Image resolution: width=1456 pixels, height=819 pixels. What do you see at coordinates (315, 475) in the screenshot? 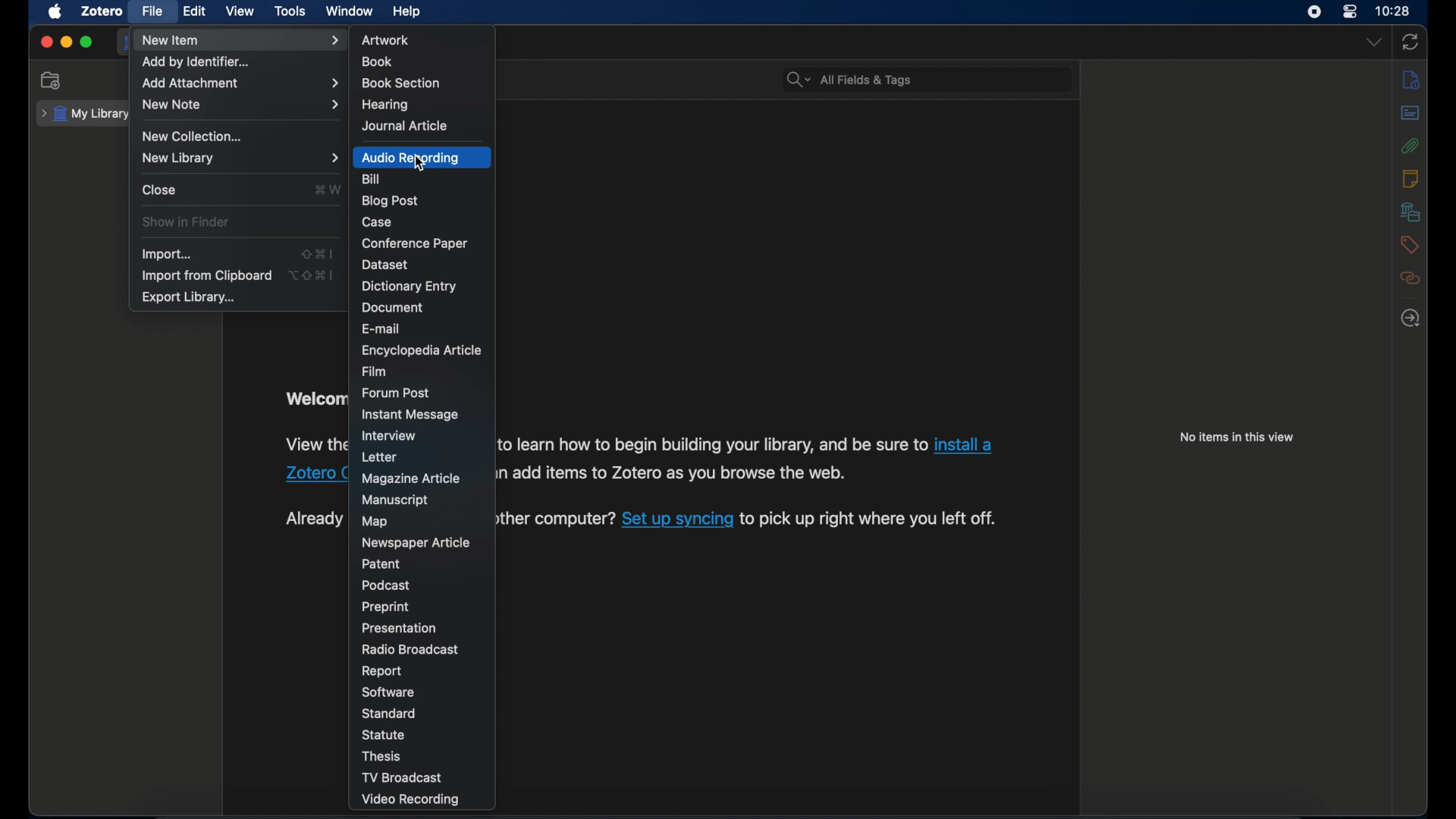
I see `` at bounding box center [315, 475].